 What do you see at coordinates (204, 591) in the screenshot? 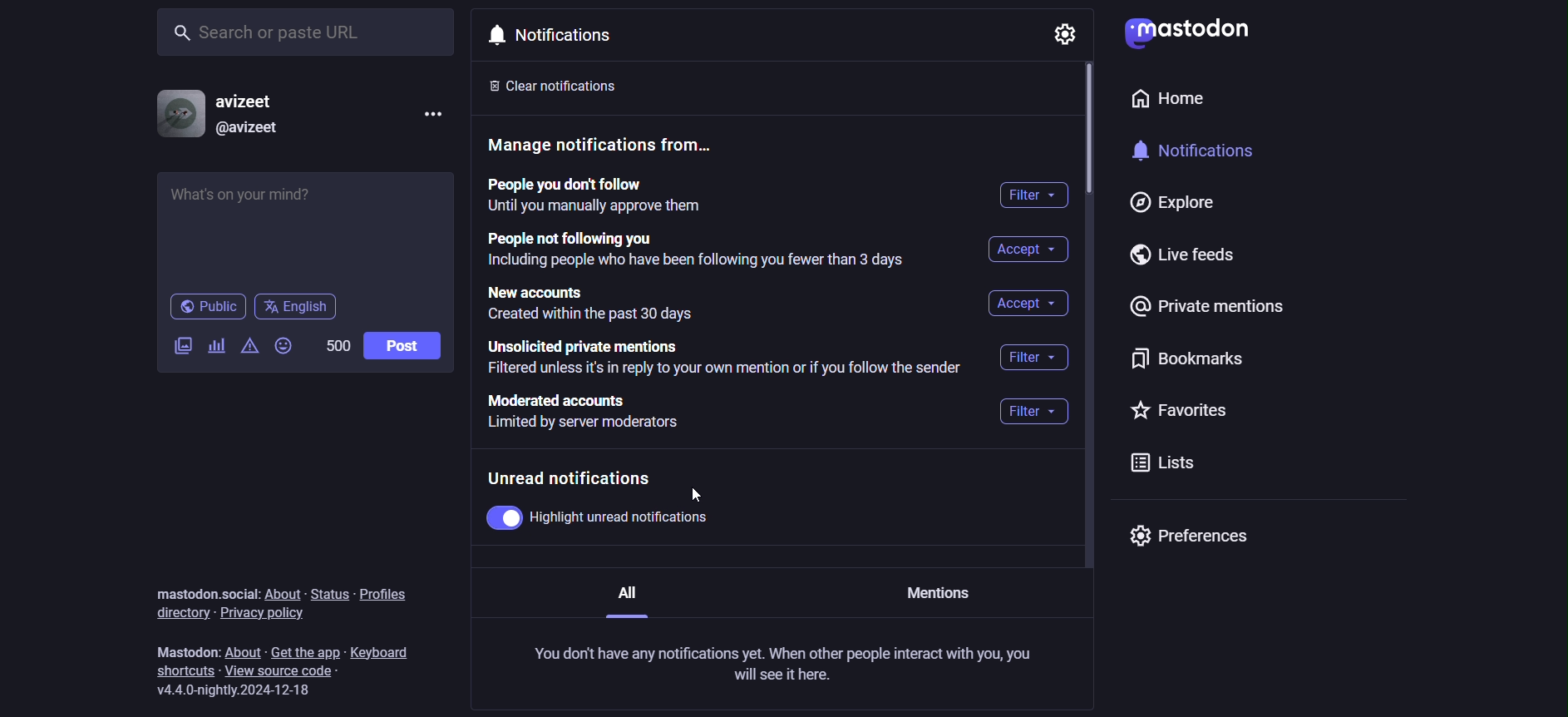
I see `text` at bounding box center [204, 591].